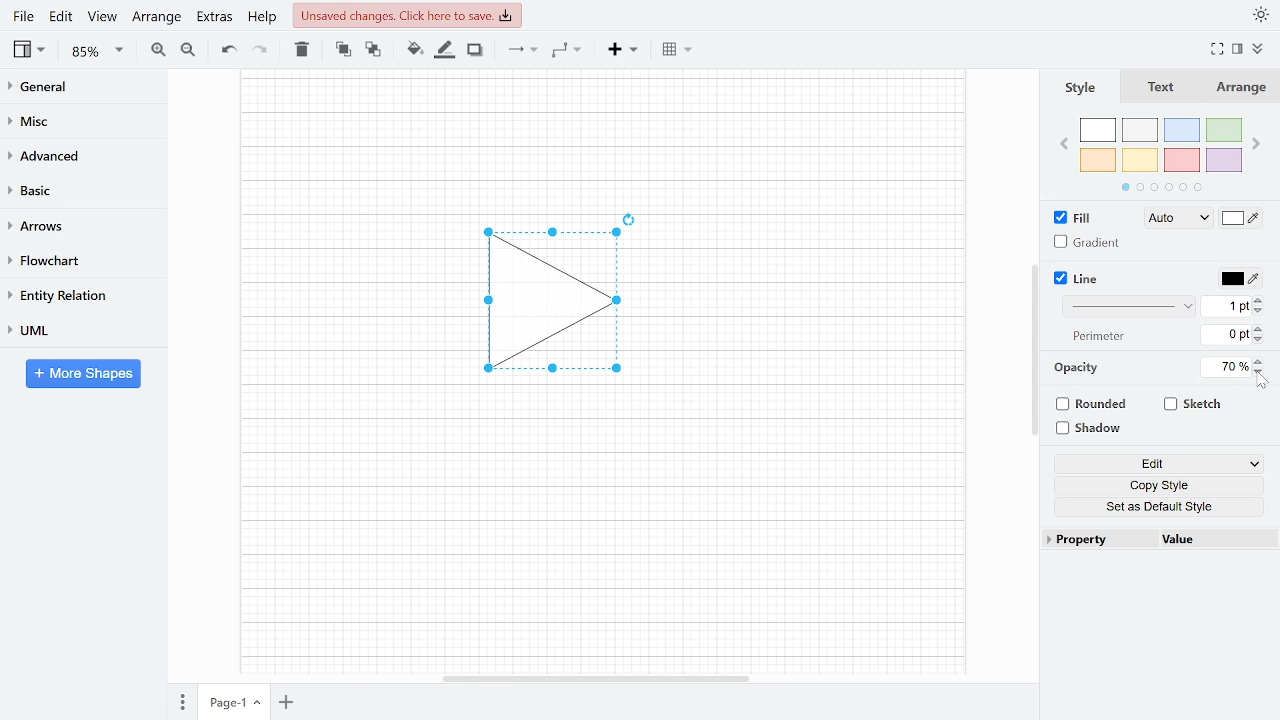  What do you see at coordinates (300, 49) in the screenshot?
I see `Delete` at bounding box center [300, 49].